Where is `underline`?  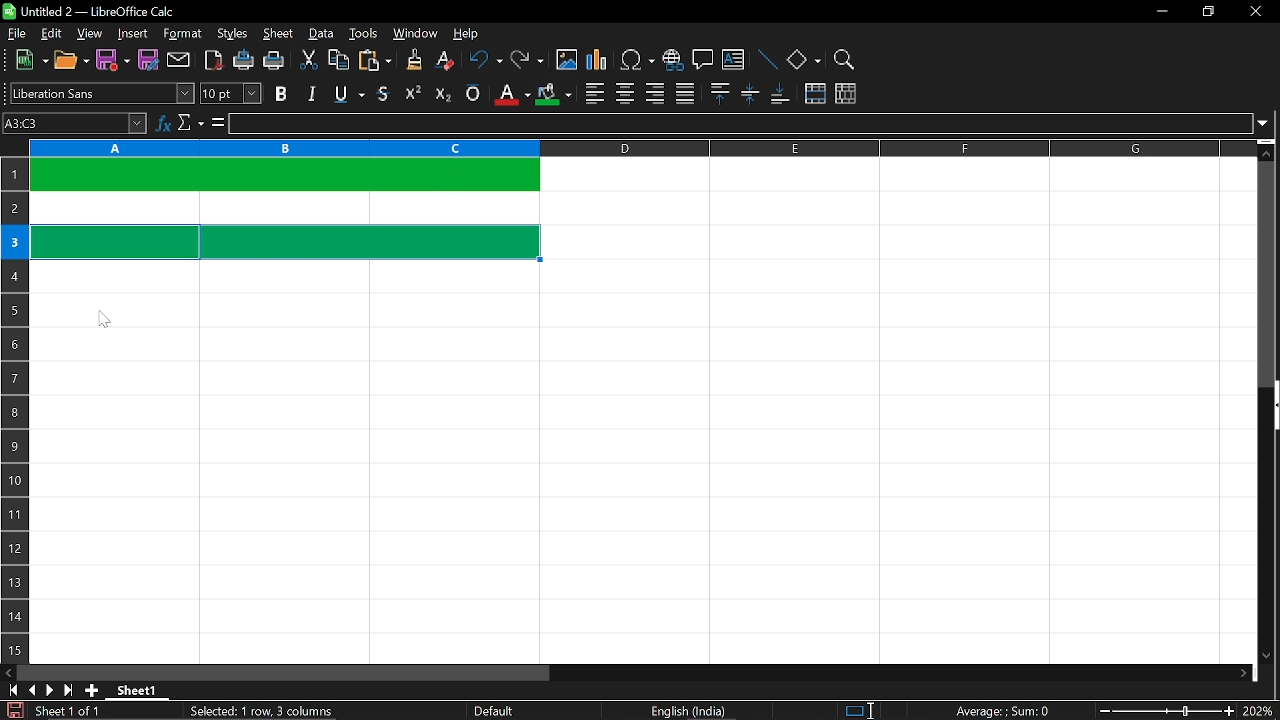 underline is located at coordinates (346, 94).